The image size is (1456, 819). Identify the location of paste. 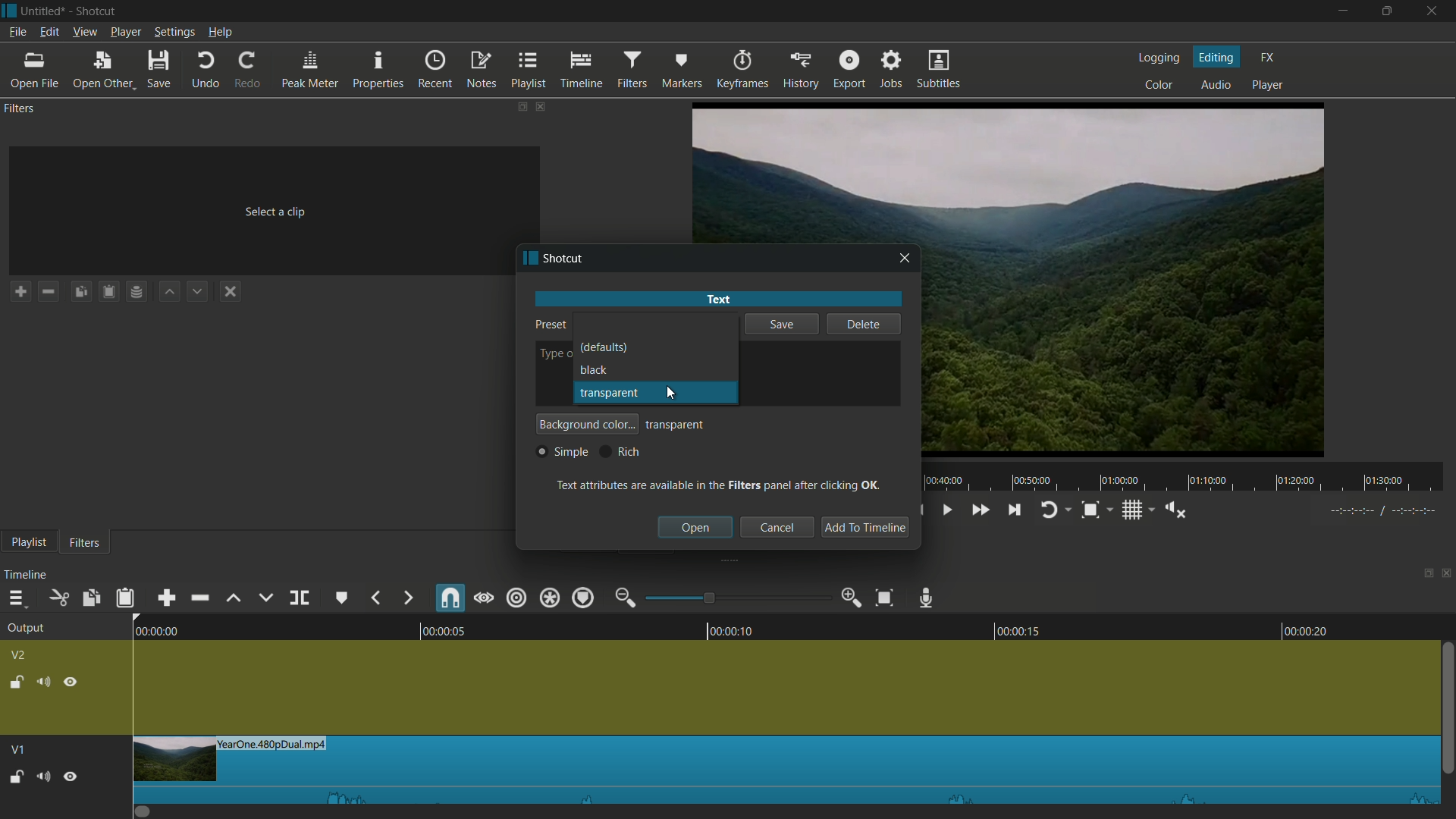
(124, 597).